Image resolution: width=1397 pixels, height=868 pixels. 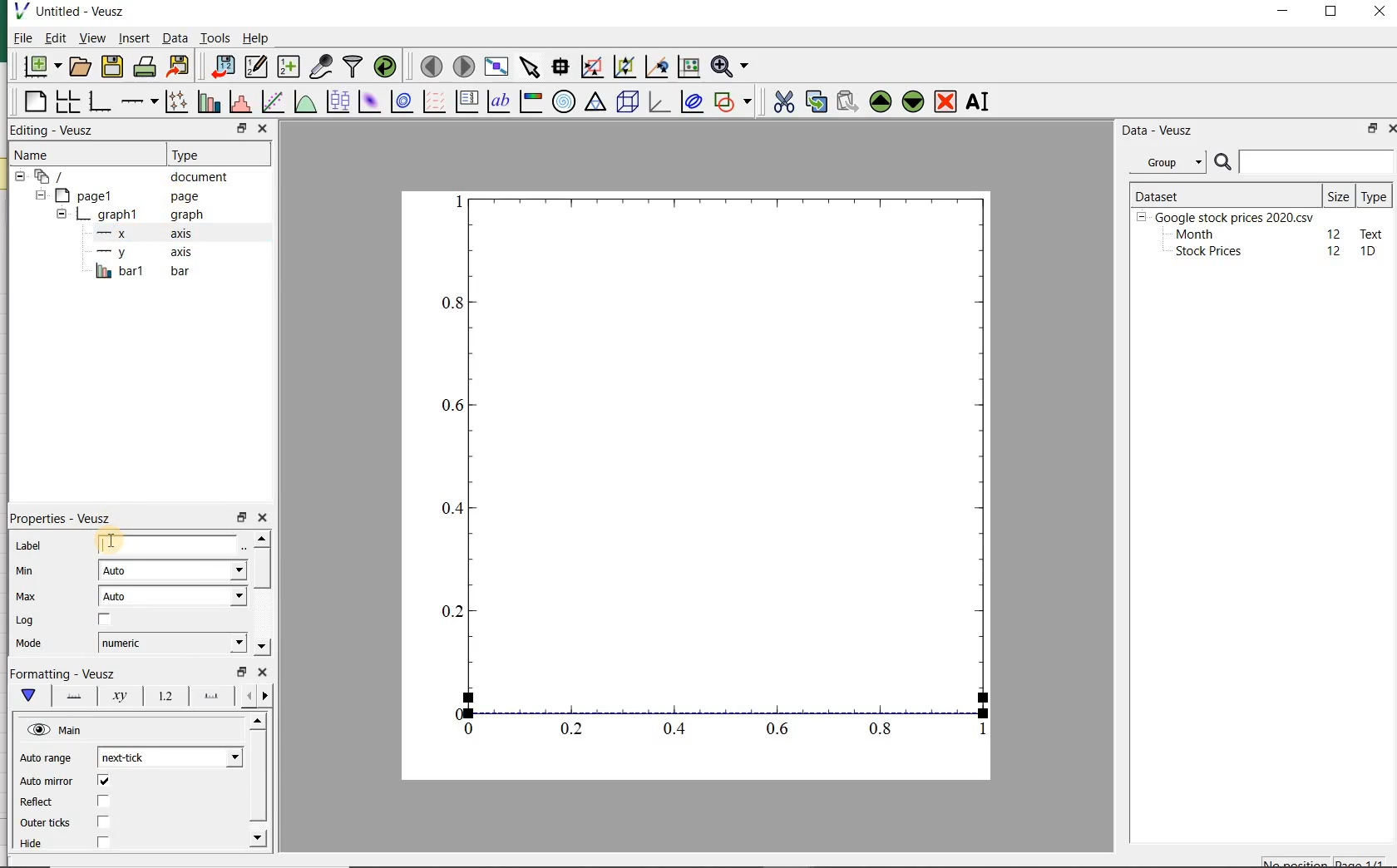 I want to click on check/uncheck, so click(x=102, y=801).